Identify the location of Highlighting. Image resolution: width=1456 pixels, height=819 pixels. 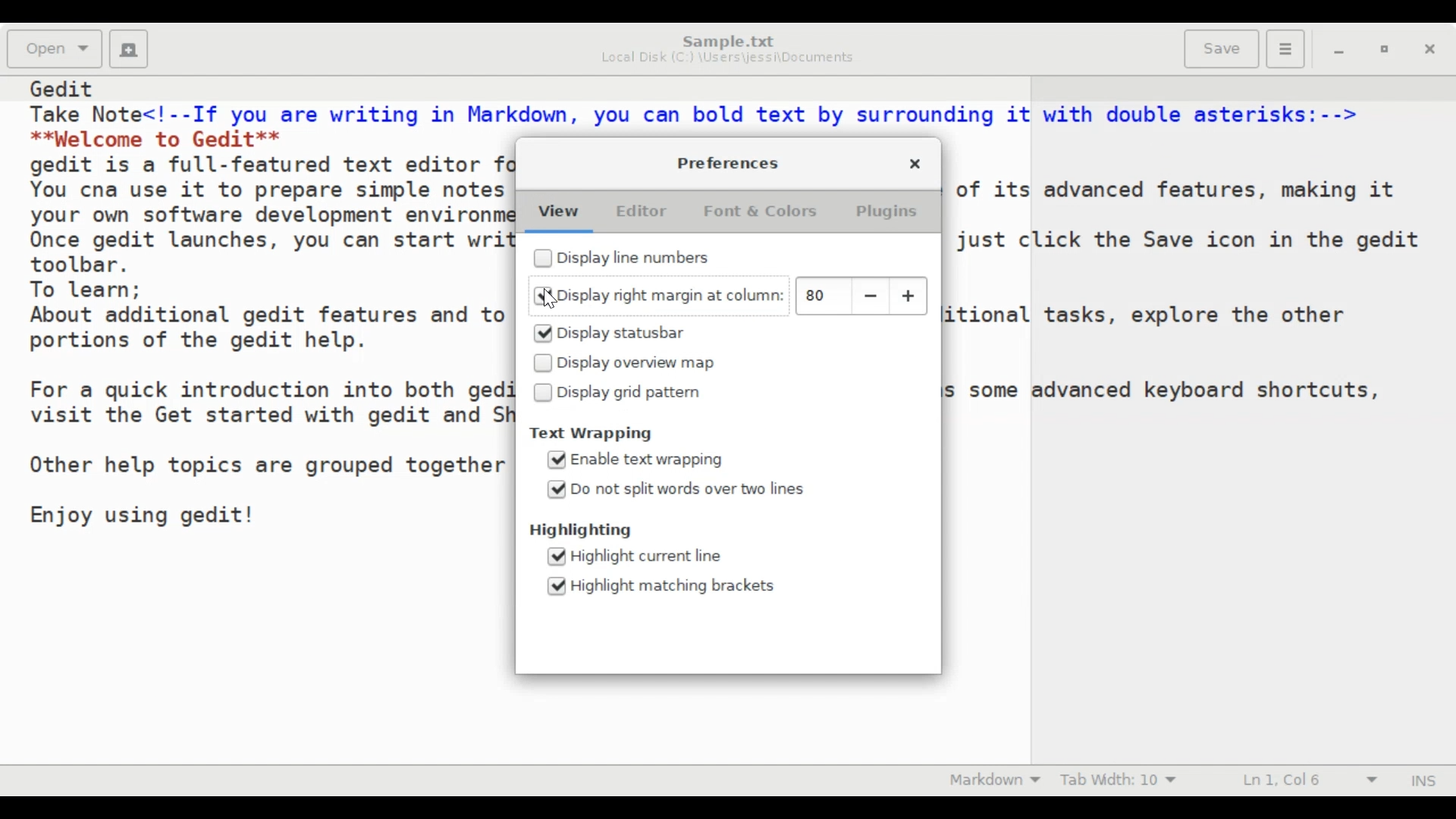
(583, 529).